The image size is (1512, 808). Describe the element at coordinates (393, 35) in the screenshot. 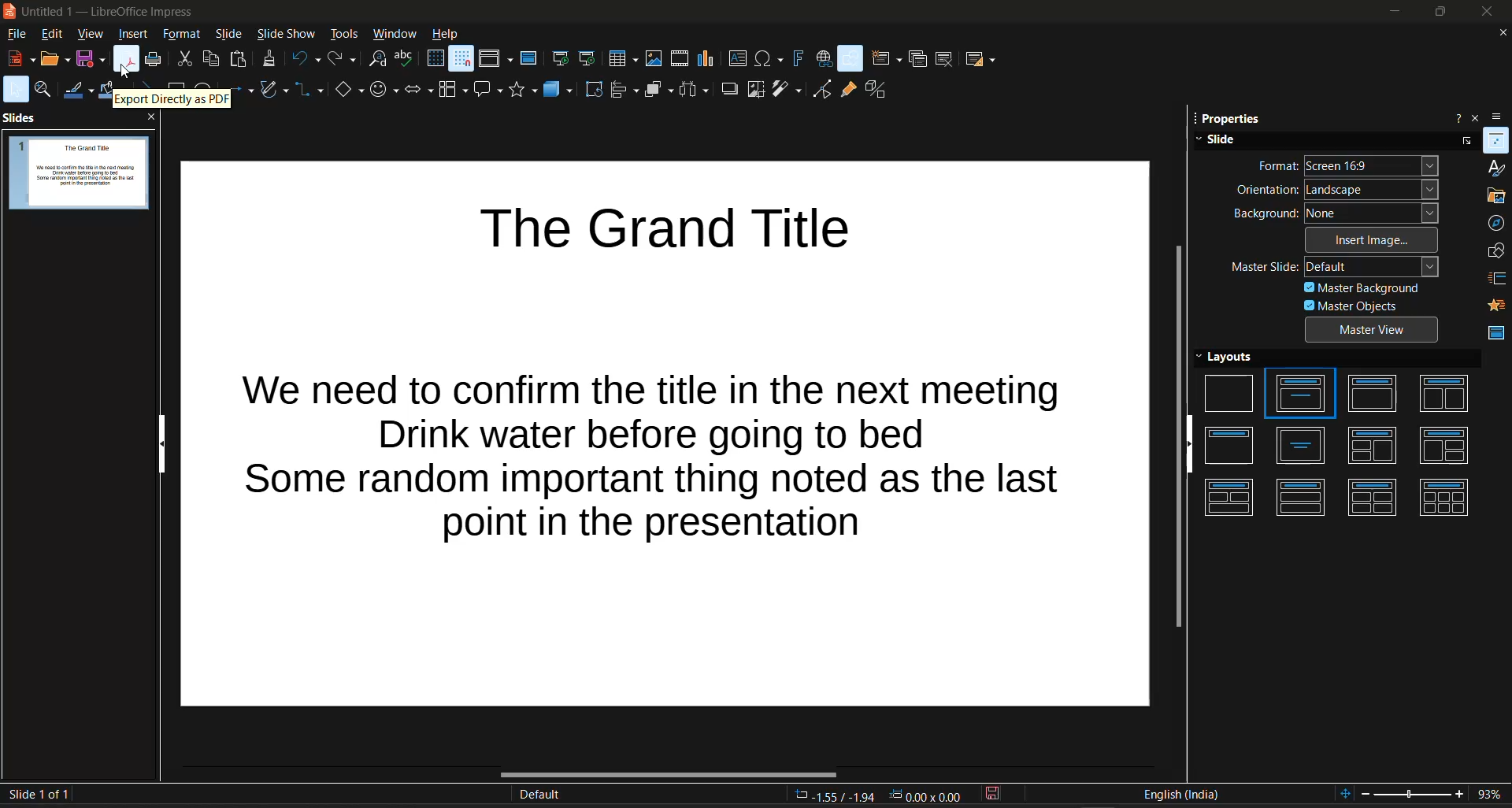

I see `window` at that location.